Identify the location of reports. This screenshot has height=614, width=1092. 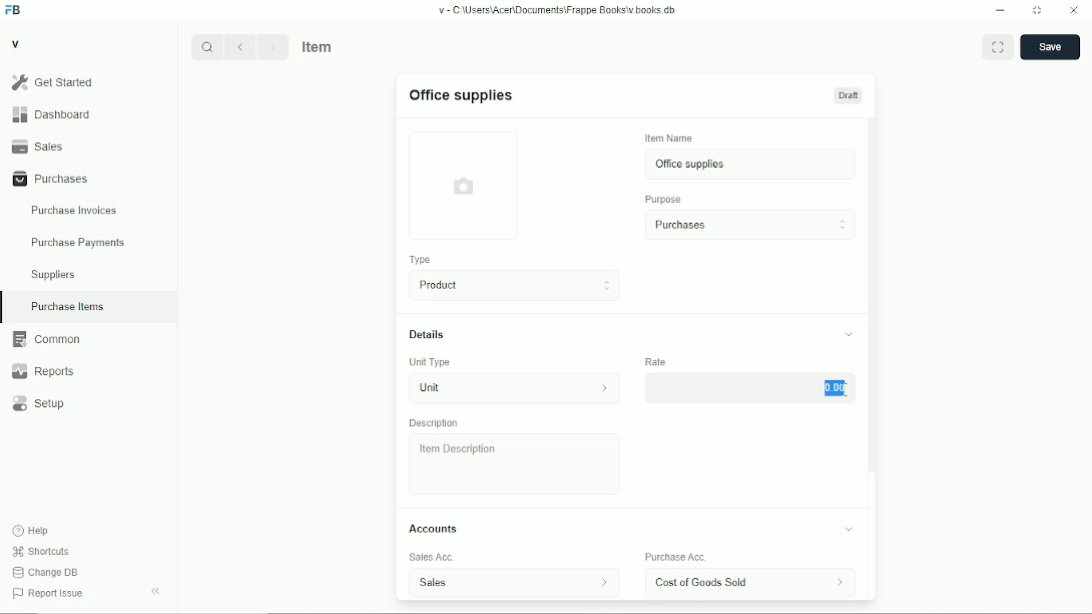
(42, 371).